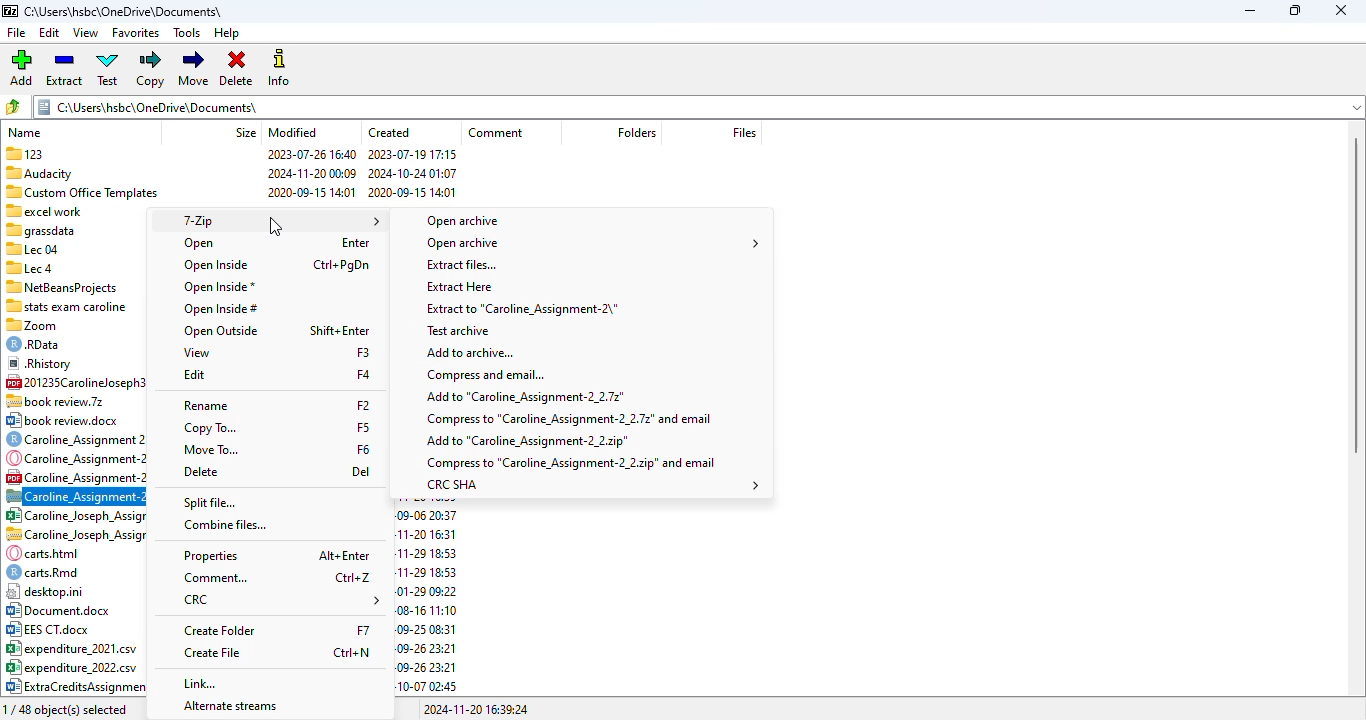 The width and height of the screenshot is (1366, 720). Describe the element at coordinates (73, 304) in the screenshot. I see `| Bl stats exam caroline 2022-11-03 02:13 2022-11-03 02:12` at that location.